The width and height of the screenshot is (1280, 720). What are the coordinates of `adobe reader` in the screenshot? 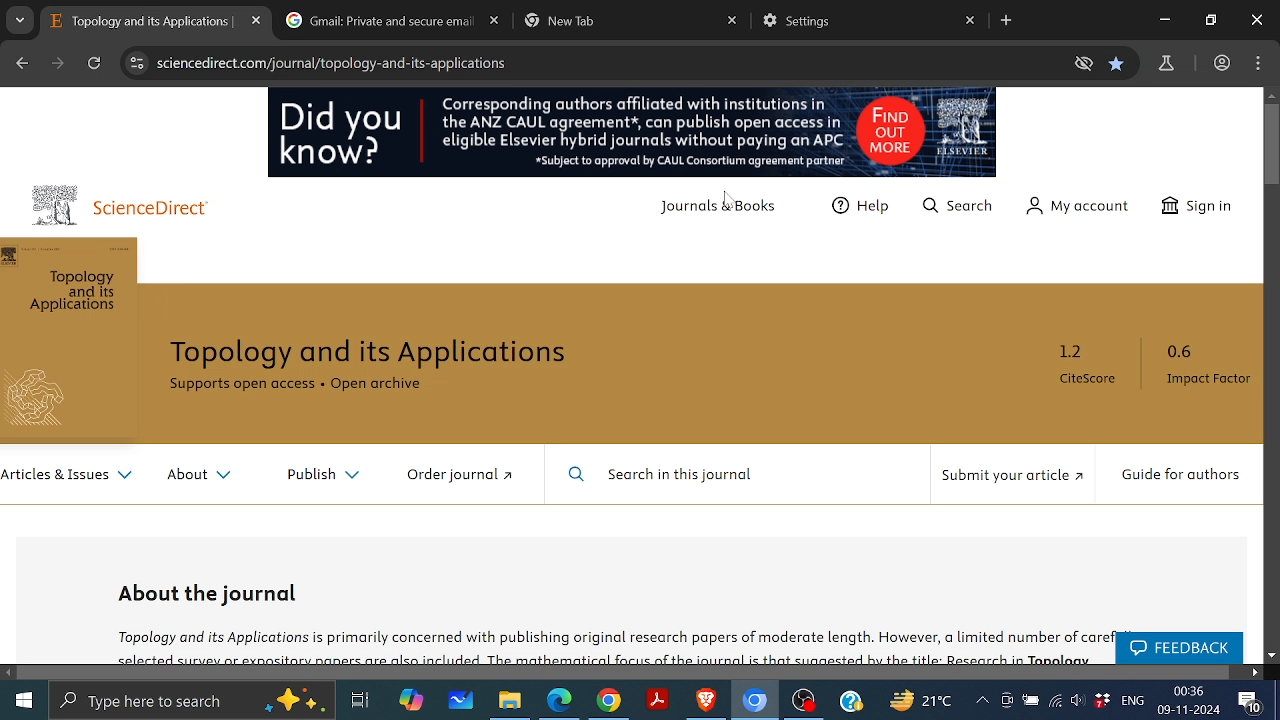 It's located at (658, 703).